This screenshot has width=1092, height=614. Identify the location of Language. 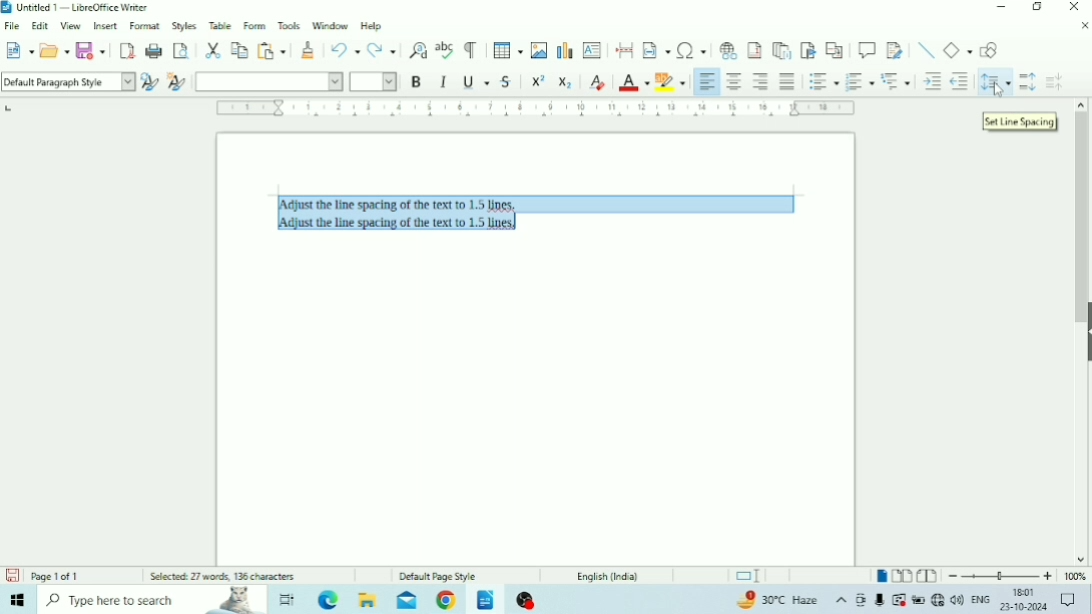
(981, 599).